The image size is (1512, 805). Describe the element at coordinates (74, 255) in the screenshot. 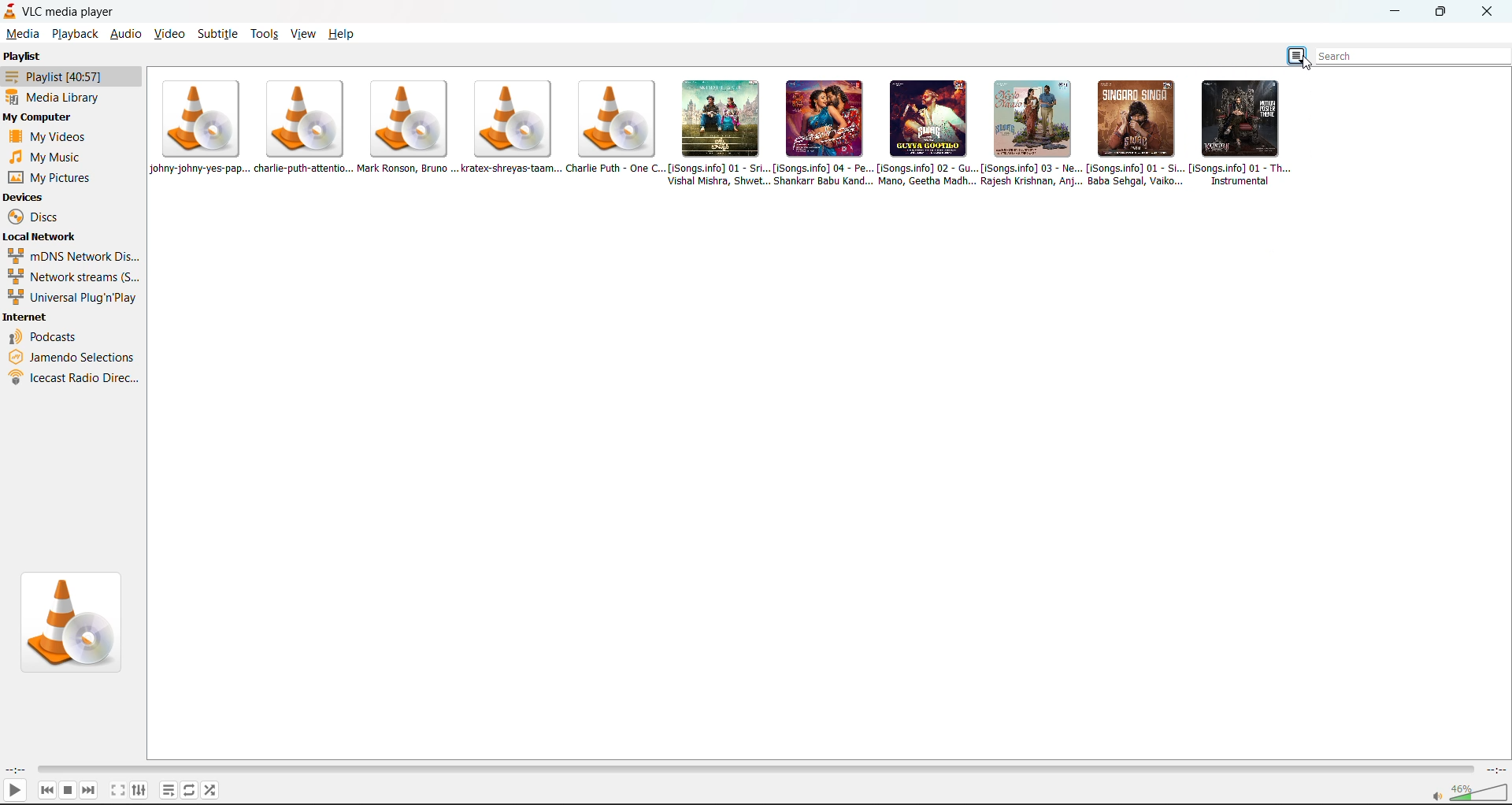

I see `mdns network` at that location.